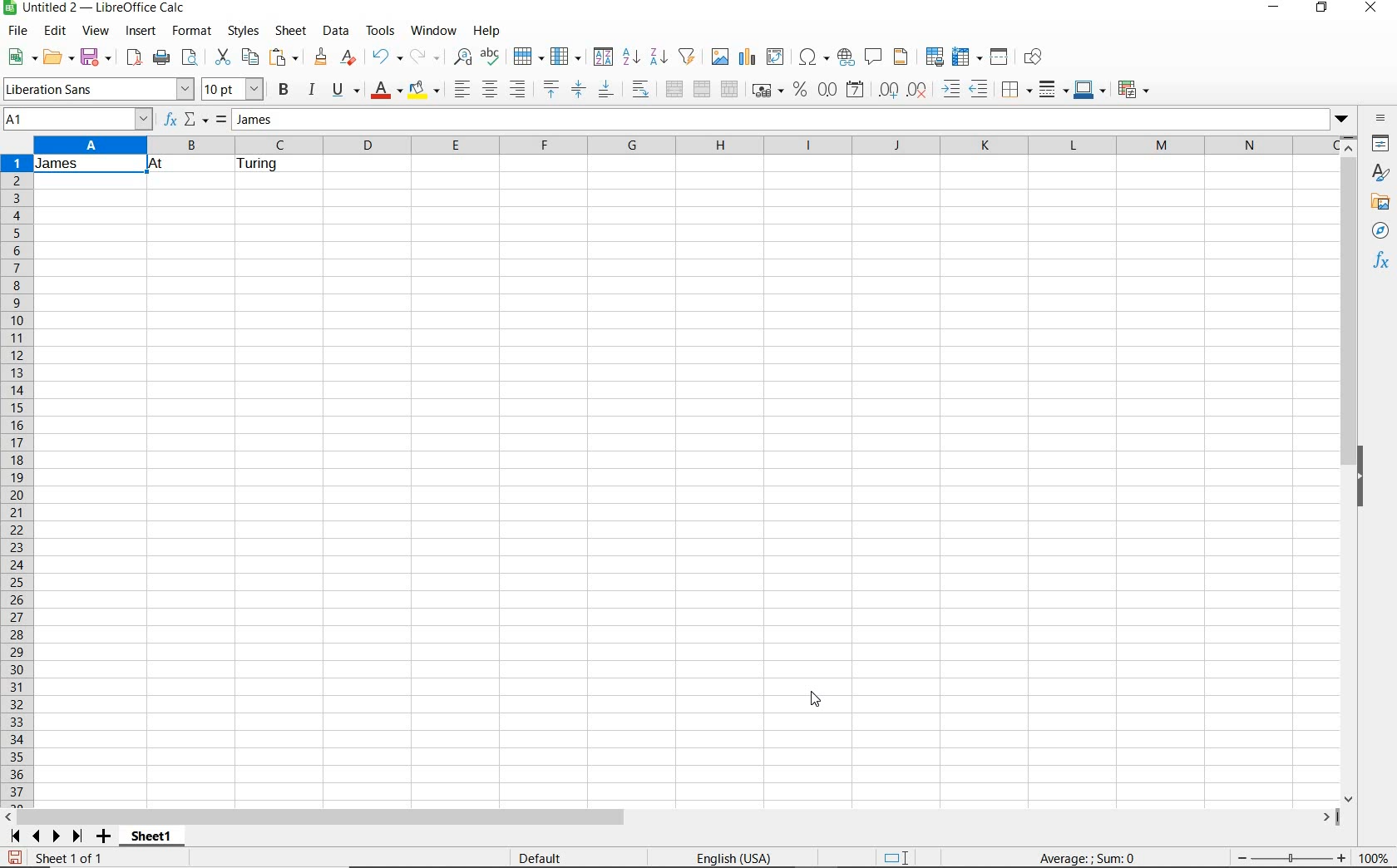 This screenshot has width=1397, height=868. Describe the element at coordinates (57, 32) in the screenshot. I see `edit` at that location.